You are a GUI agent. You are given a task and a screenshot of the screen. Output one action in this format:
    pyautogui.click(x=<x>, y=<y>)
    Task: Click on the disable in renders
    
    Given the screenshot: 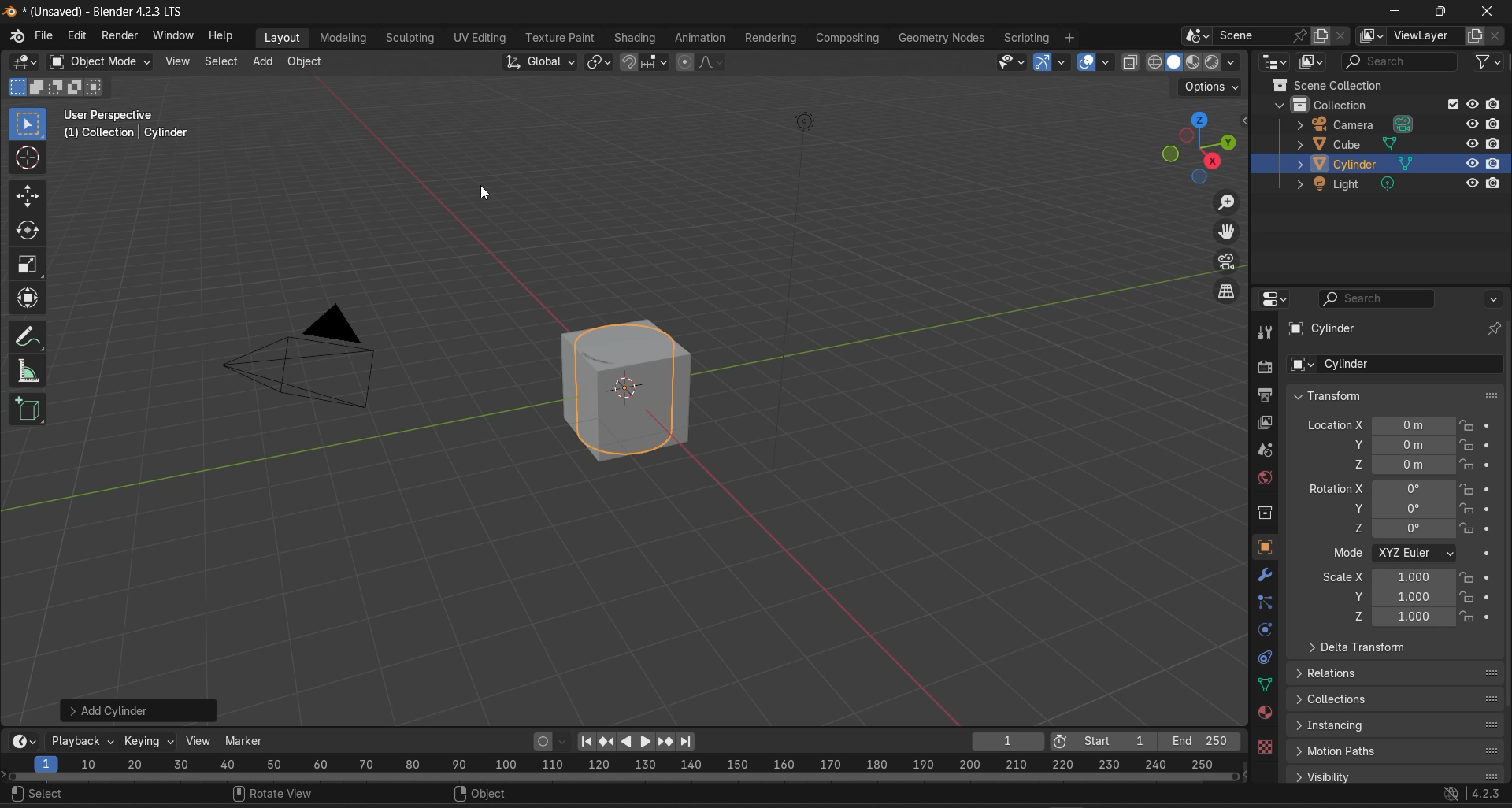 What is the action you would take?
    pyautogui.click(x=1495, y=124)
    